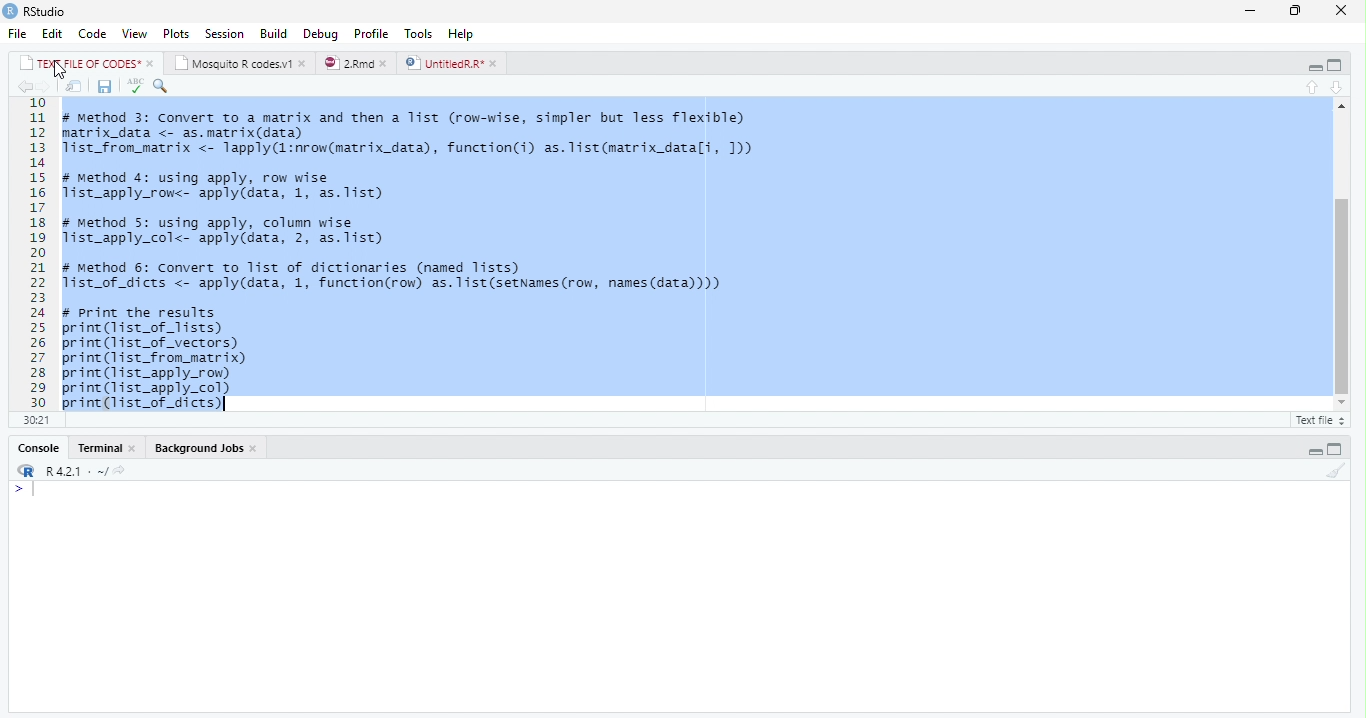  What do you see at coordinates (78, 470) in the screenshot?
I see `R 4.2.1 - ~/` at bounding box center [78, 470].